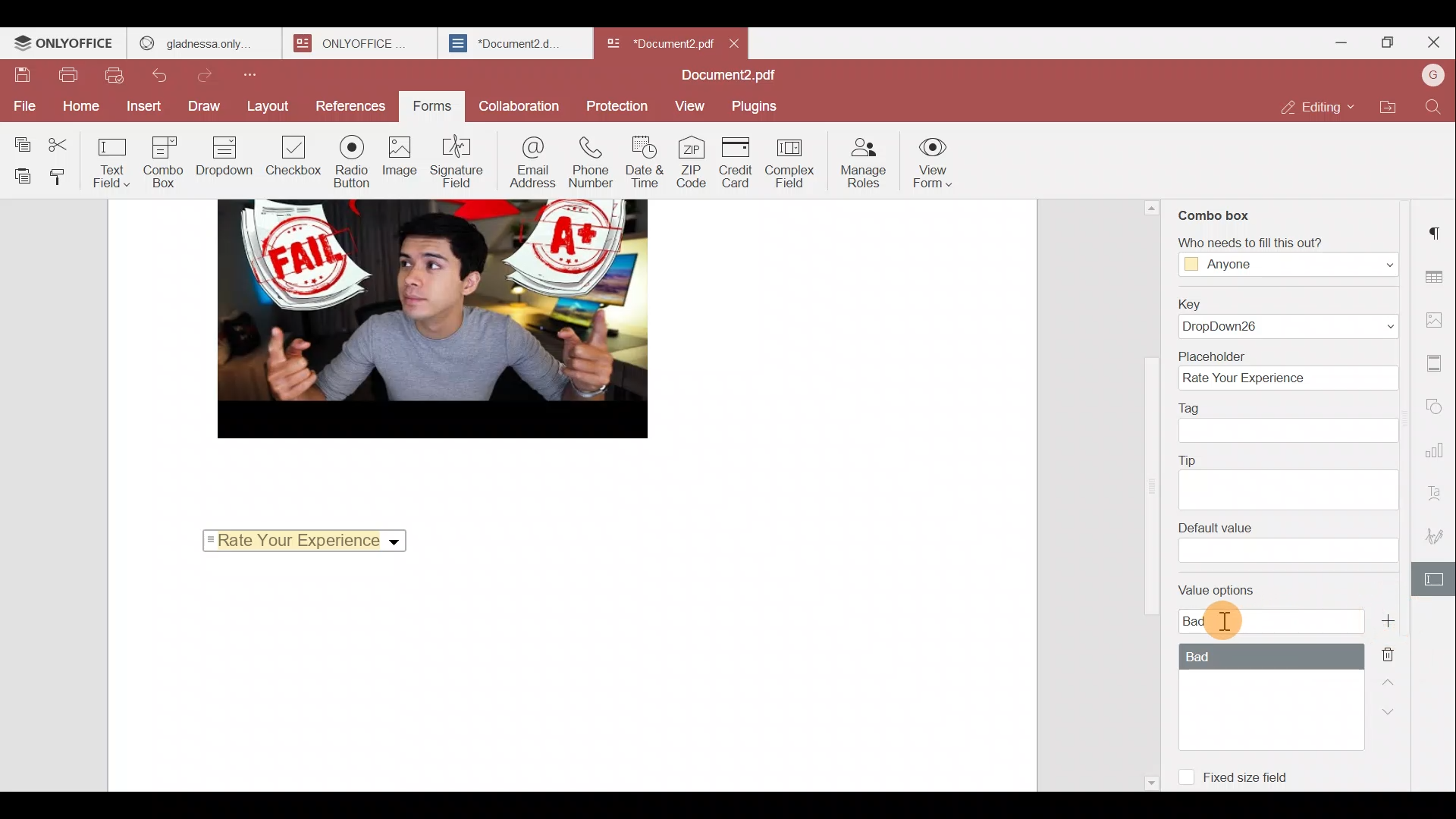 This screenshot has height=819, width=1456. What do you see at coordinates (934, 159) in the screenshot?
I see `View form` at bounding box center [934, 159].